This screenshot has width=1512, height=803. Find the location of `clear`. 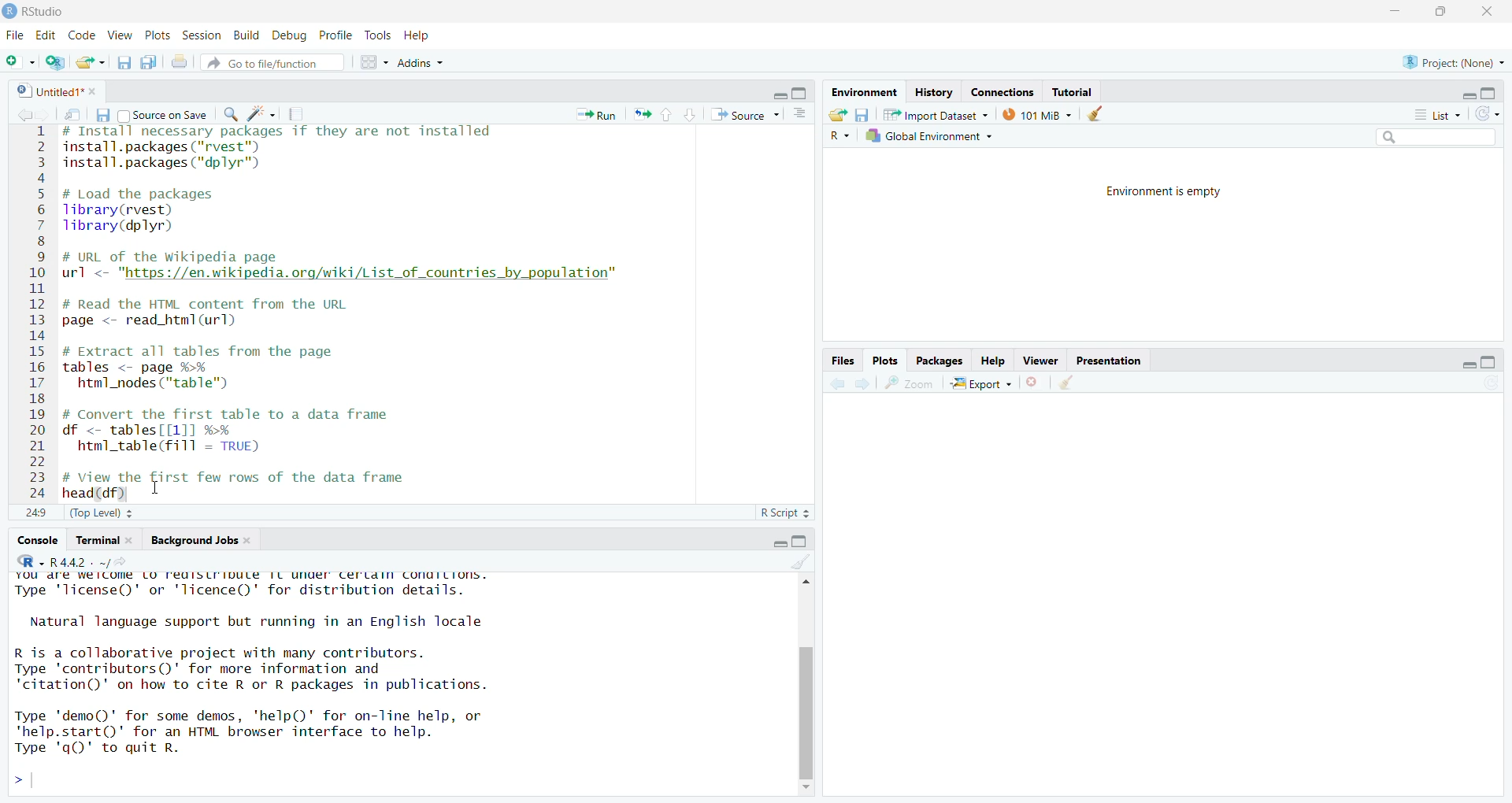

clear is located at coordinates (1095, 113).